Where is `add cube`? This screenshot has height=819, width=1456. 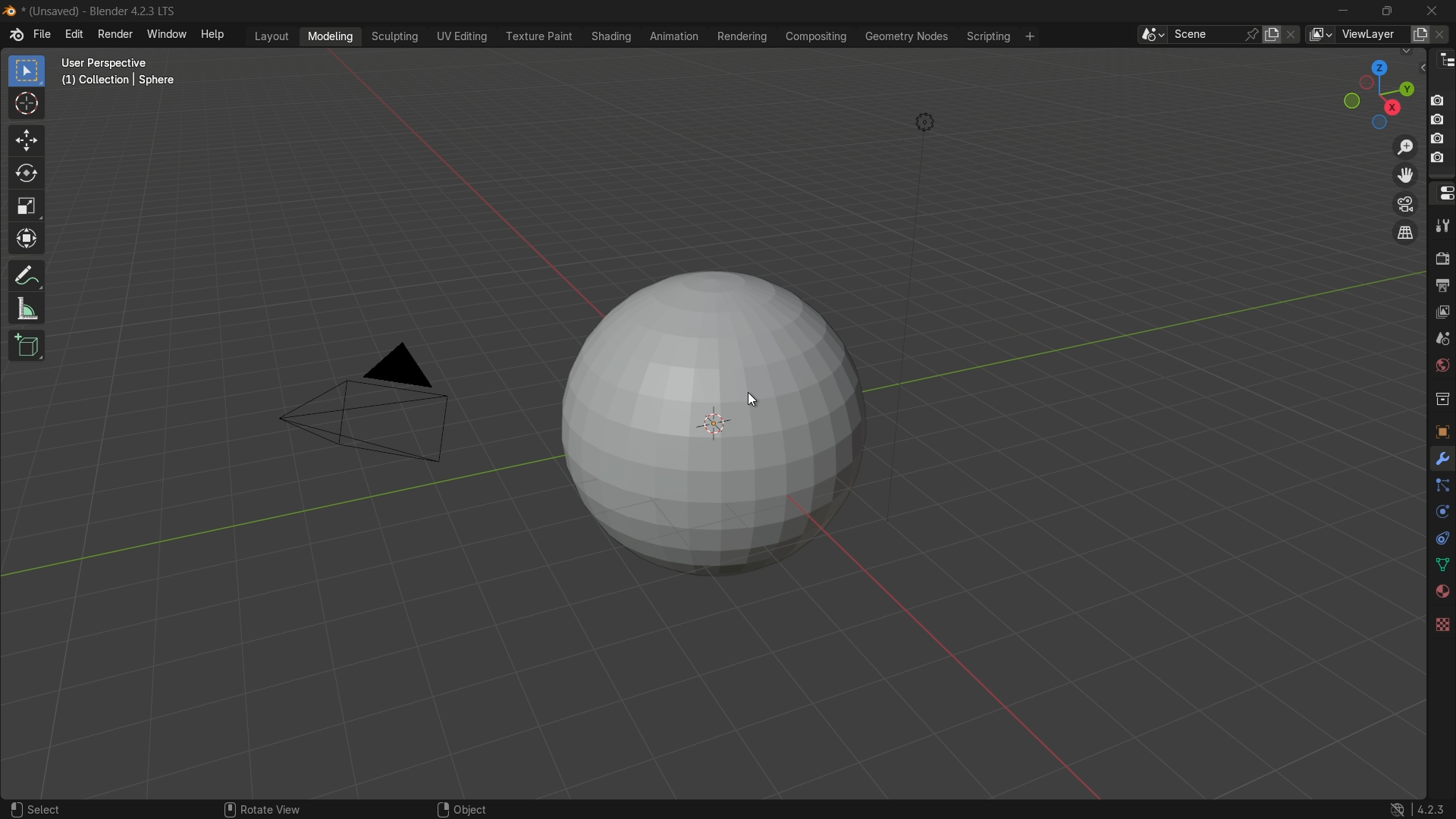
add cube is located at coordinates (27, 344).